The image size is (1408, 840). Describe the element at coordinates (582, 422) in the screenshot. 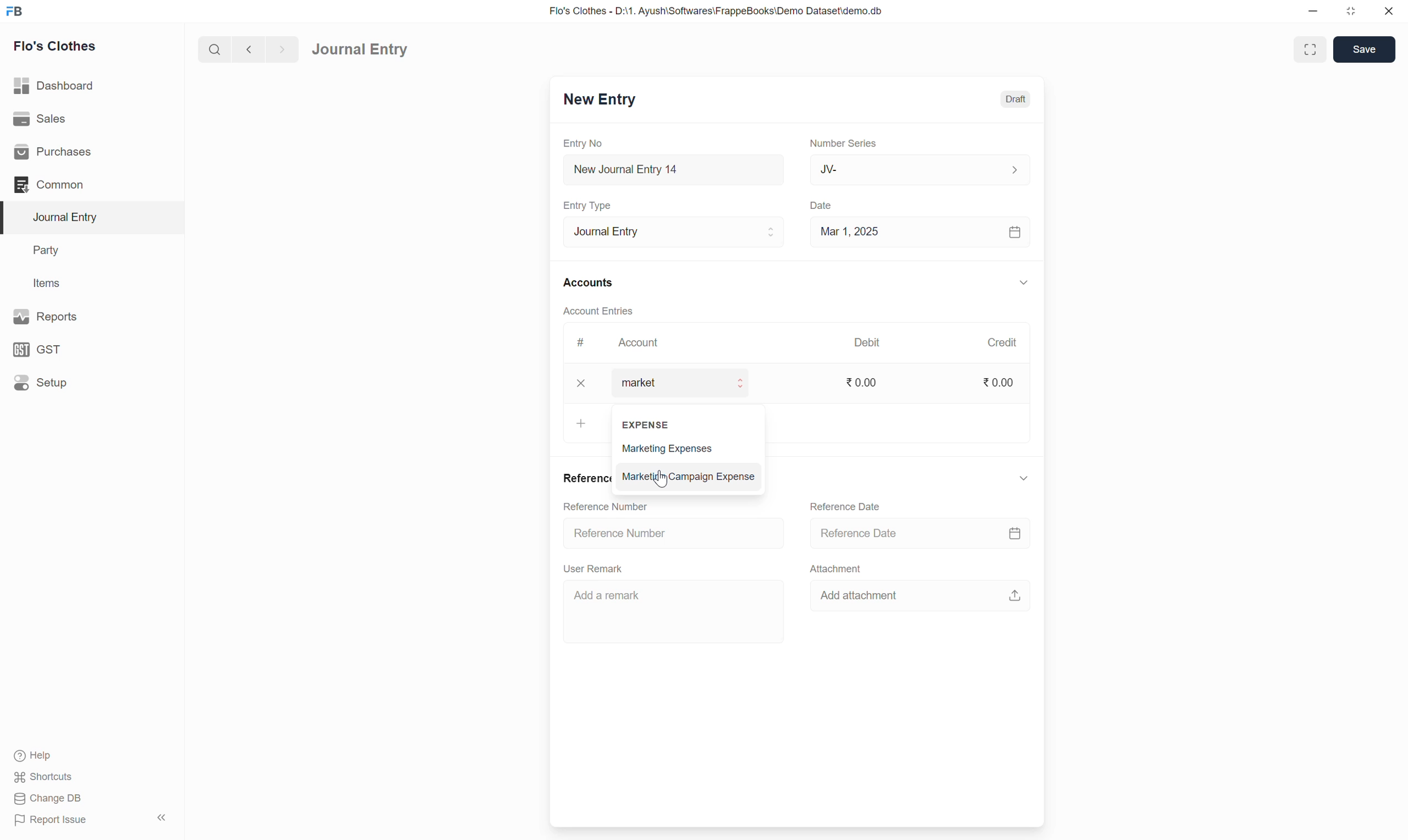

I see `+` at that location.